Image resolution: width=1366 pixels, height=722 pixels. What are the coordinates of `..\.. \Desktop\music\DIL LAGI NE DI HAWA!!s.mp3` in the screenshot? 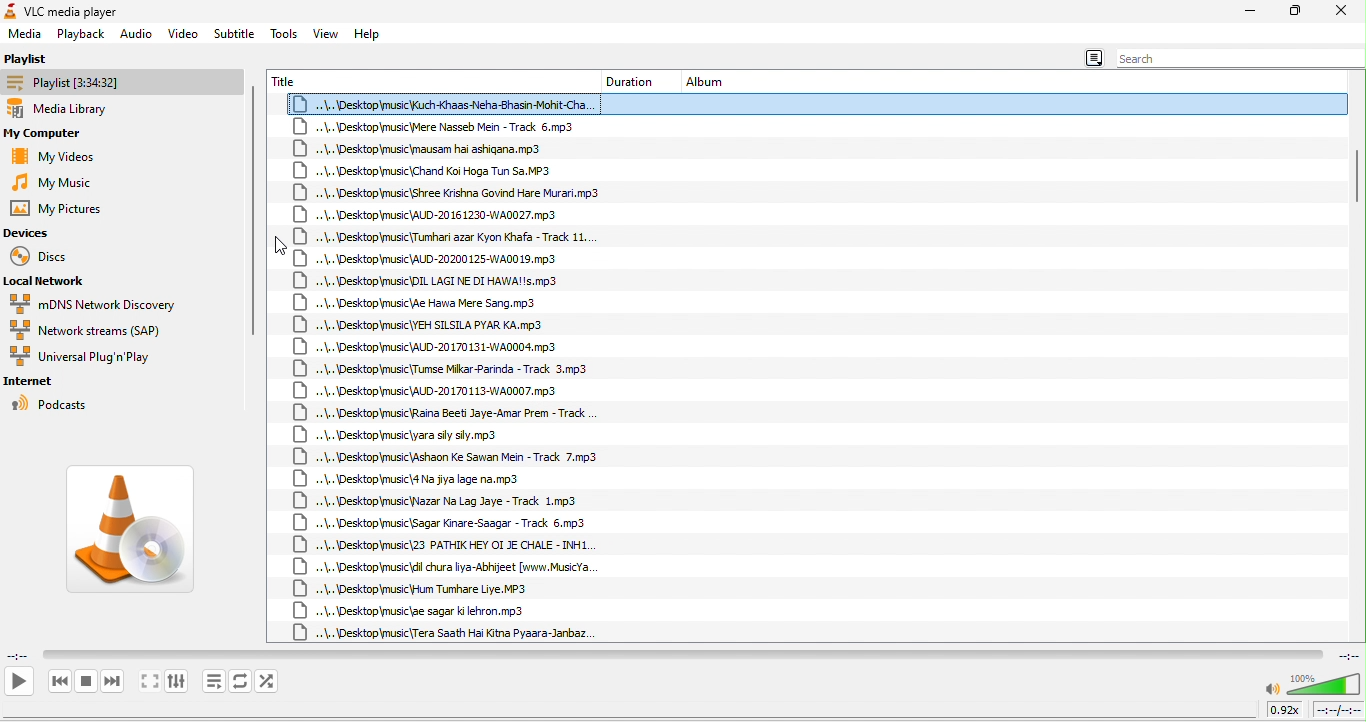 It's located at (437, 280).